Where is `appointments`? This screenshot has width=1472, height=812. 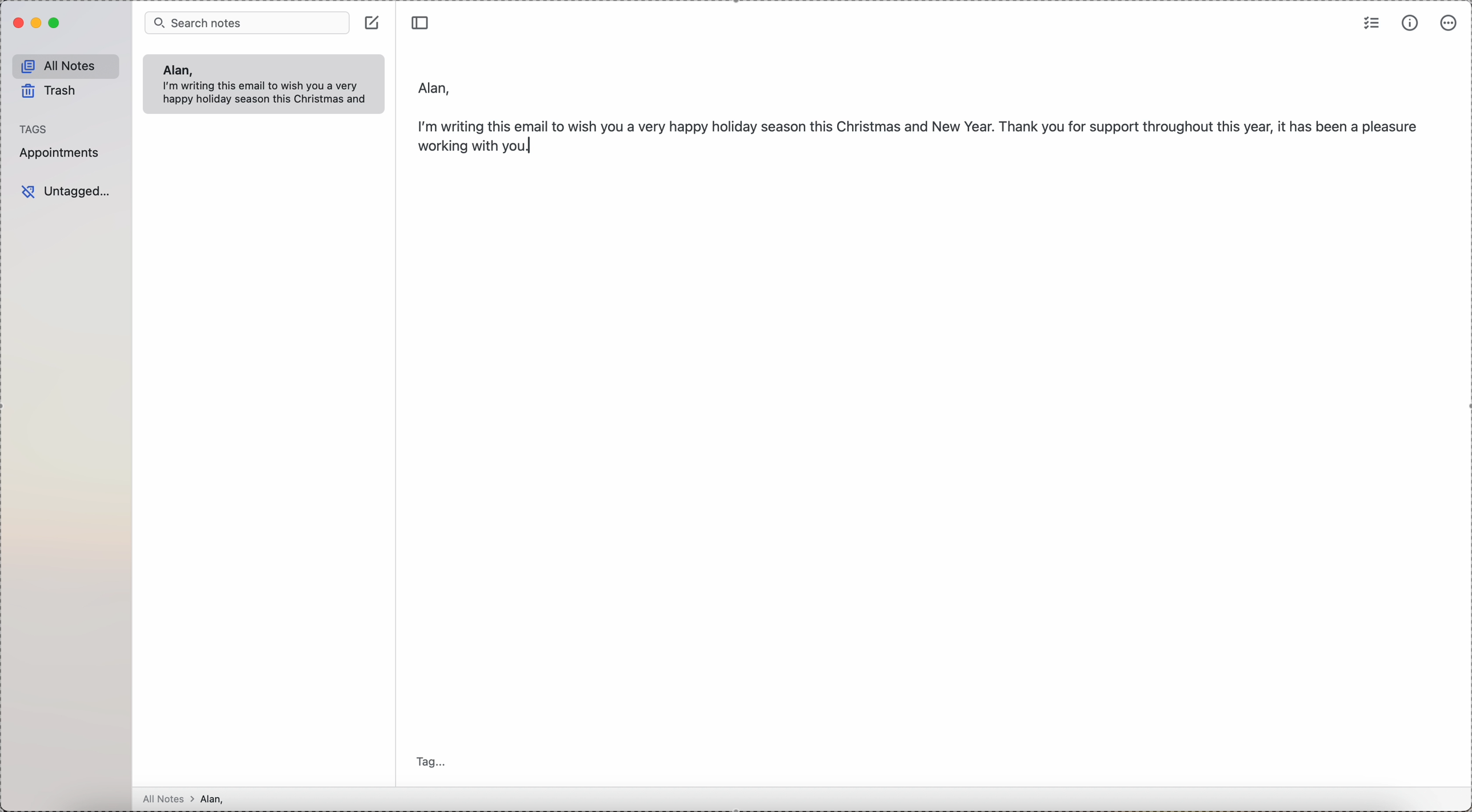
appointments is located at coordinates (62, 153).